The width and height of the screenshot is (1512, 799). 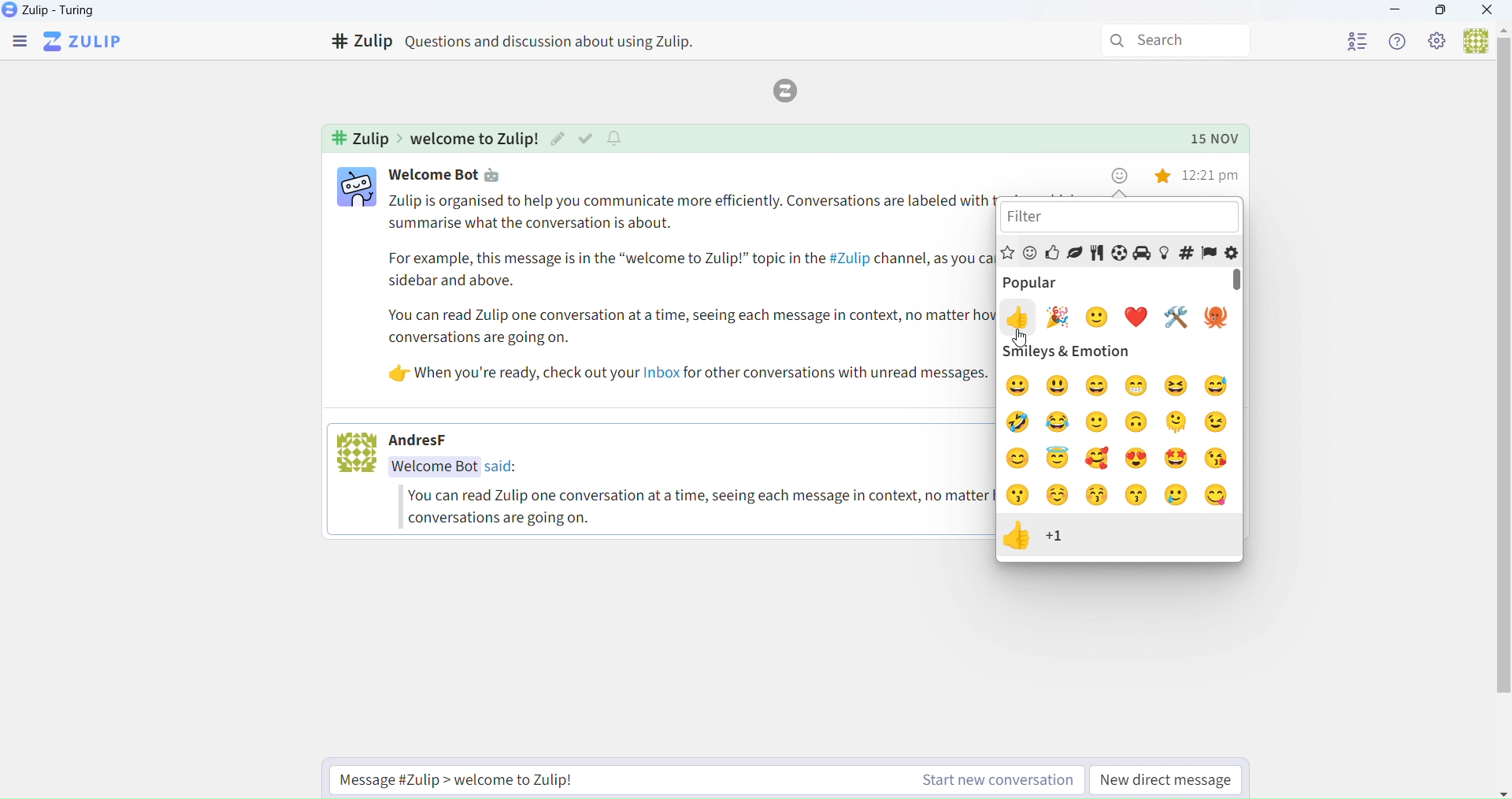 What do you see at coordinates (1097, 497) in the screenshot?
I see `kiss with blush` at bounding box center [1097, 497].